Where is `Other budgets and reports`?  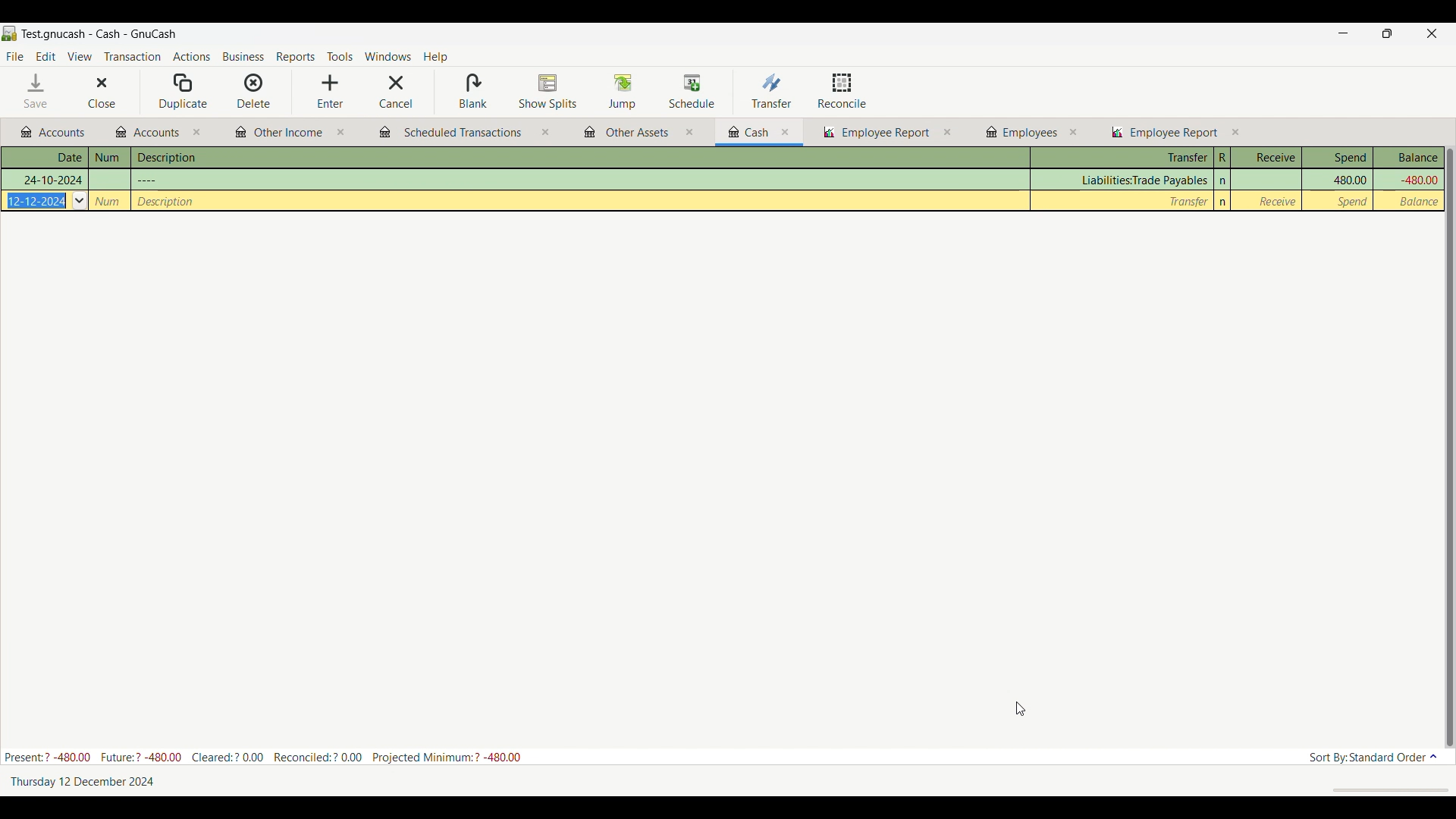
Other budgets and reports is located at coordinates (1021, 132).